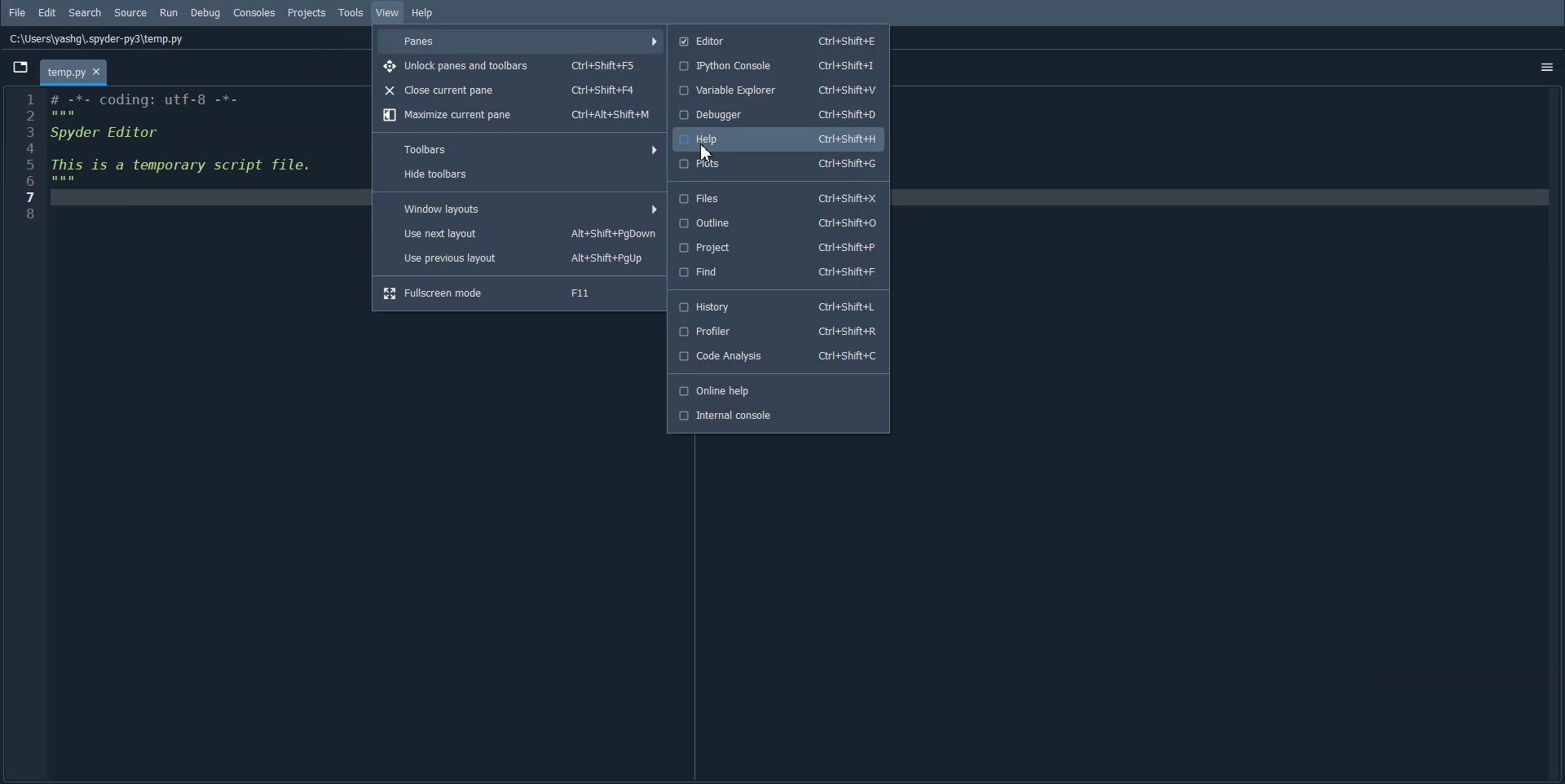 Image resolution: width=1565 pixels, height=784 pixels. I want to click on Plot, so click(778, 164).